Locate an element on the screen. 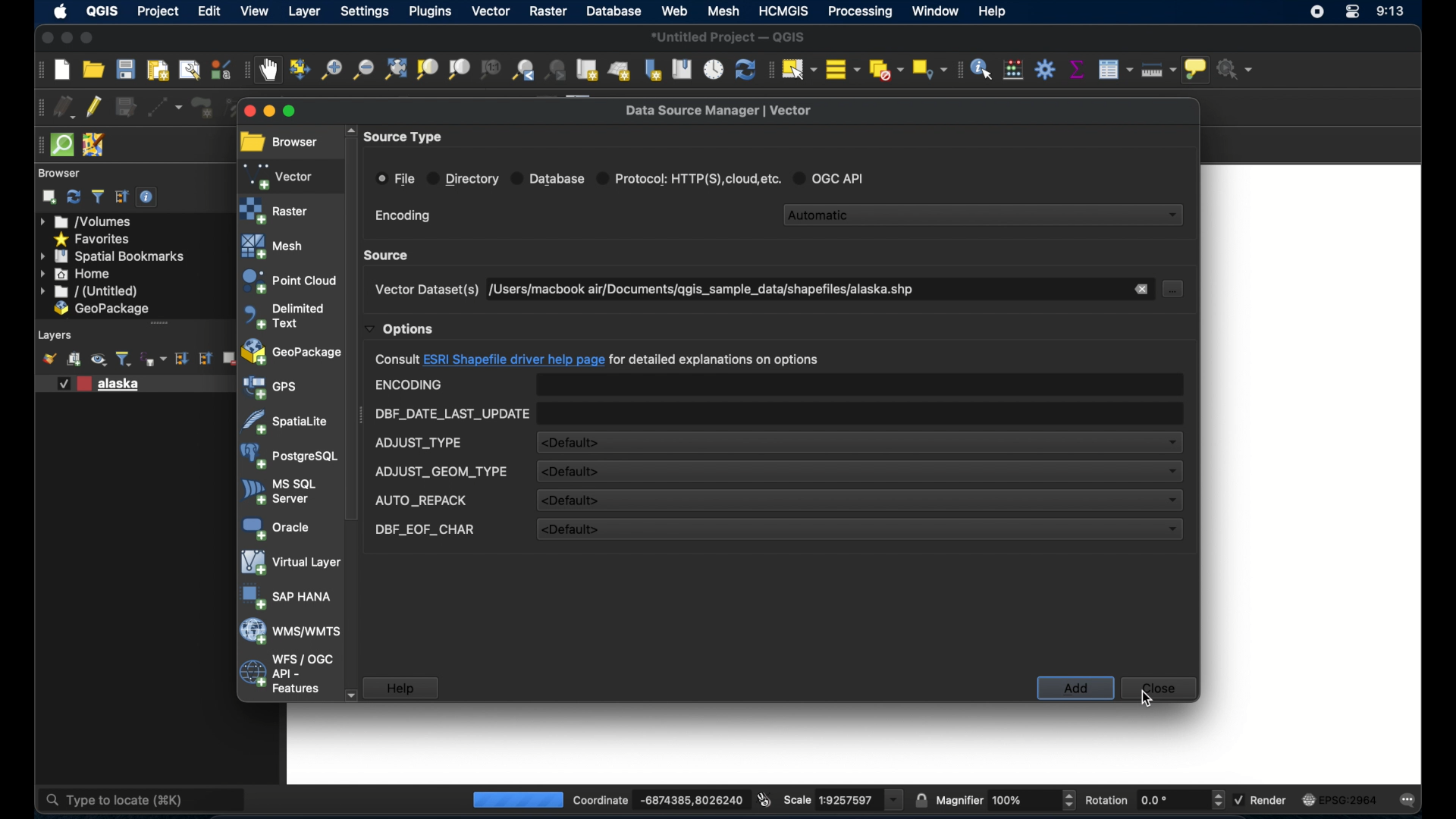 The image size is (1456, 819). Jsers/macbook air/Documents/qgis_sample_data/shapefiles/alaska.shp is located at coordinates (711, 289).